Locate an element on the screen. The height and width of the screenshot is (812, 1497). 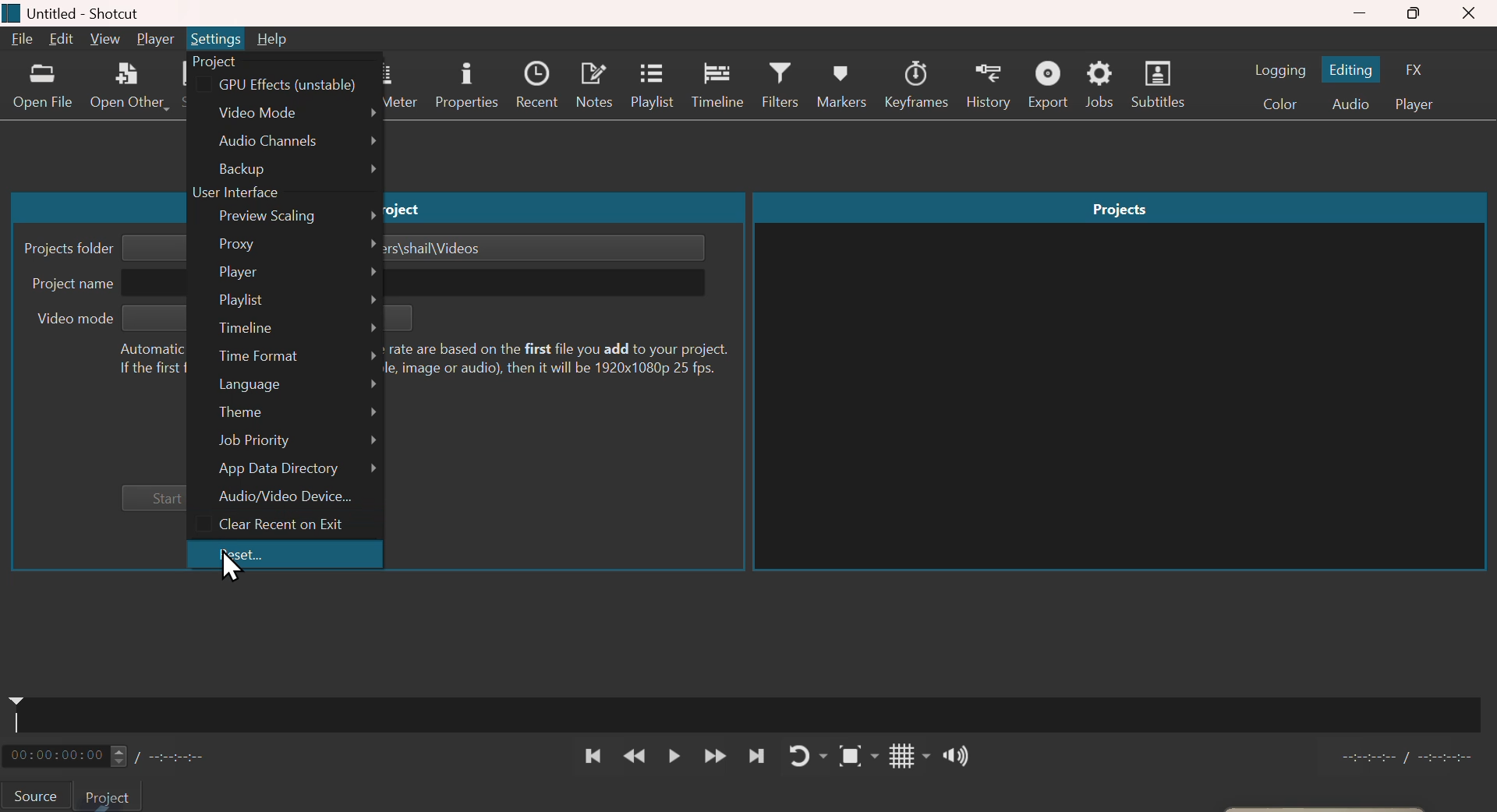
View is located at coordinates (106, 39).